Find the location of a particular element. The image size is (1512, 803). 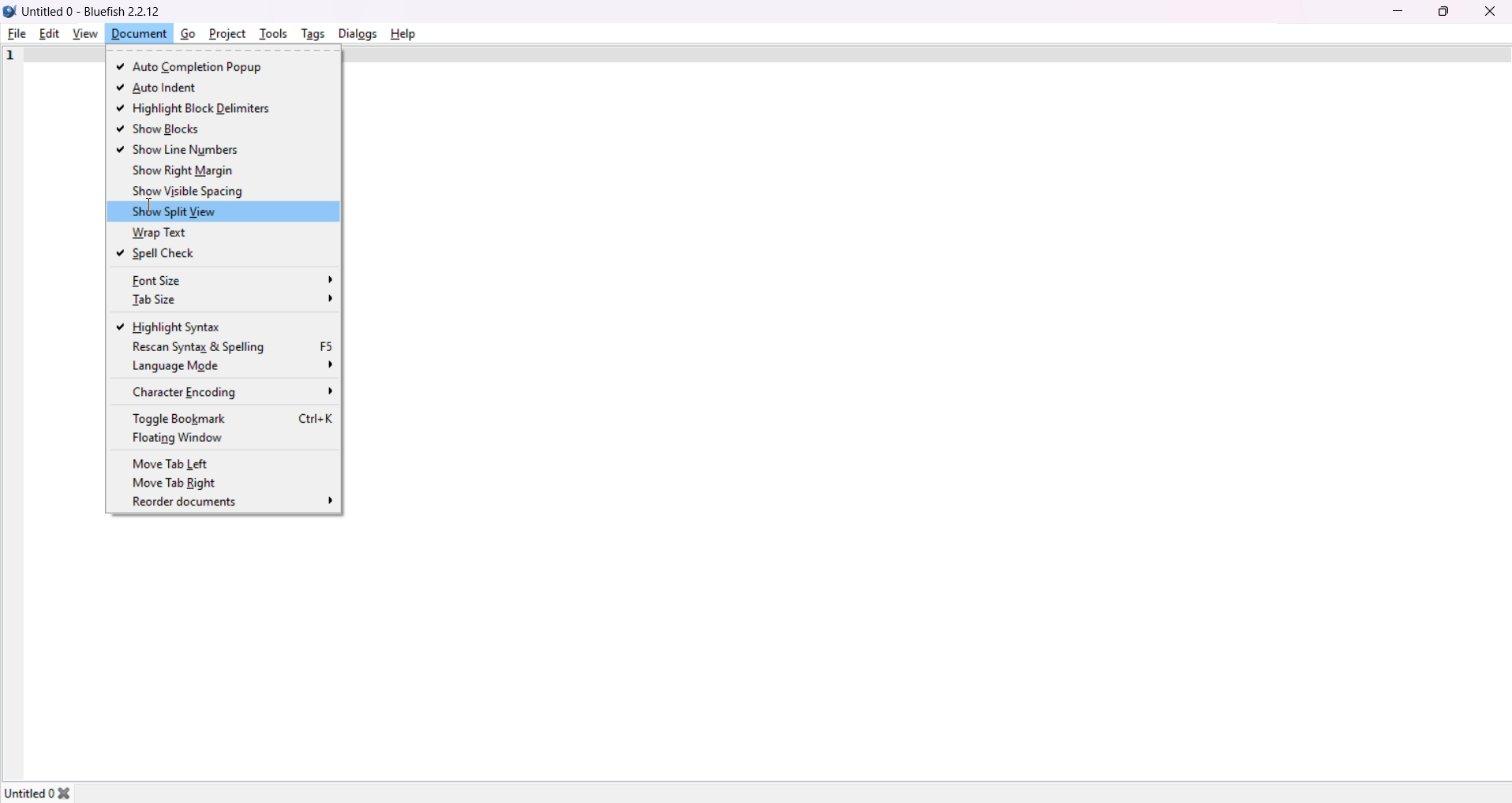

help is located at coordinates (402, 32).